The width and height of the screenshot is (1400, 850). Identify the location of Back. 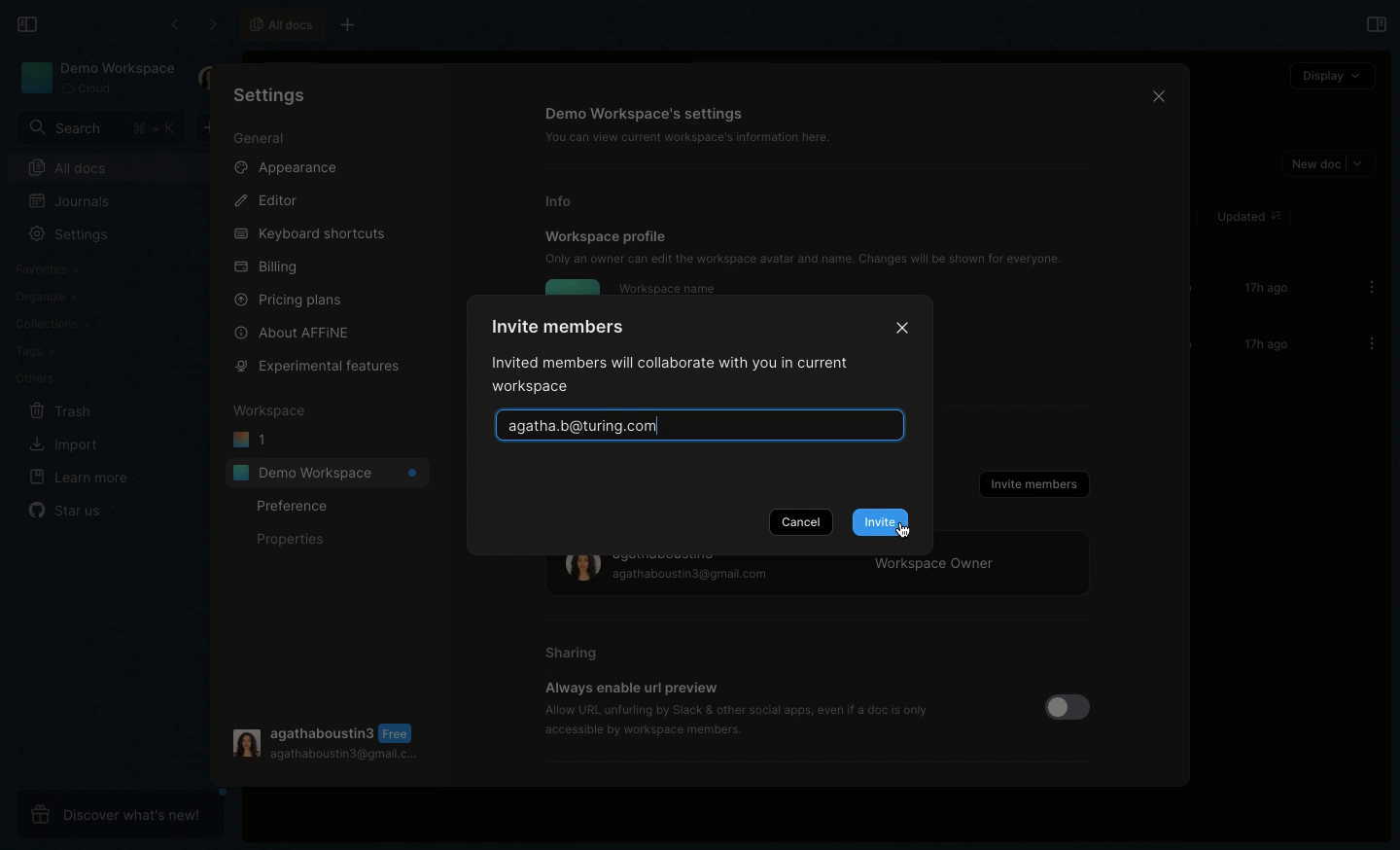
(174, 24).